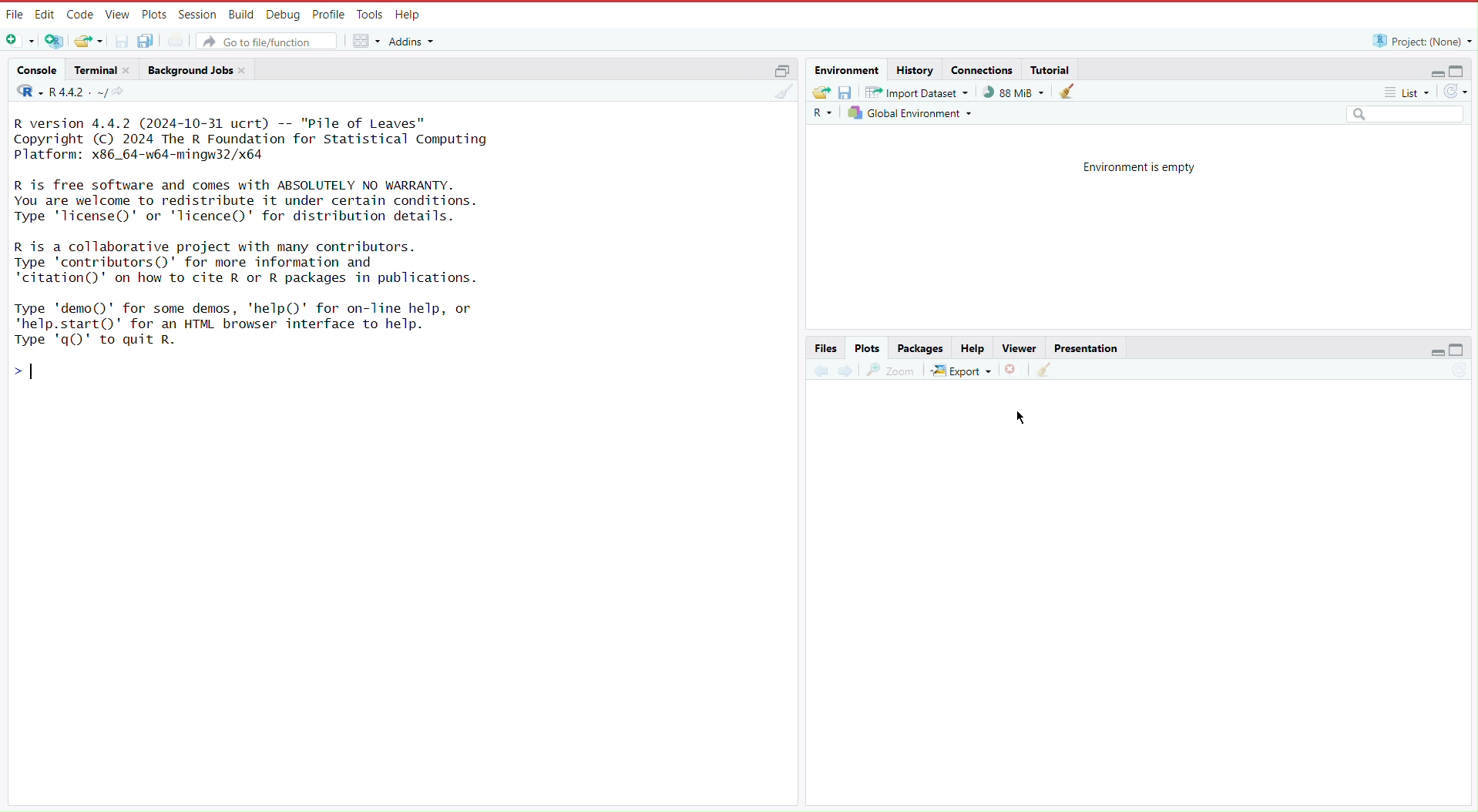 The height and width of the screenshot is (812, 1478). Describe the element at coordinates (116, 15) in the screenshot. I see `View` at that location.